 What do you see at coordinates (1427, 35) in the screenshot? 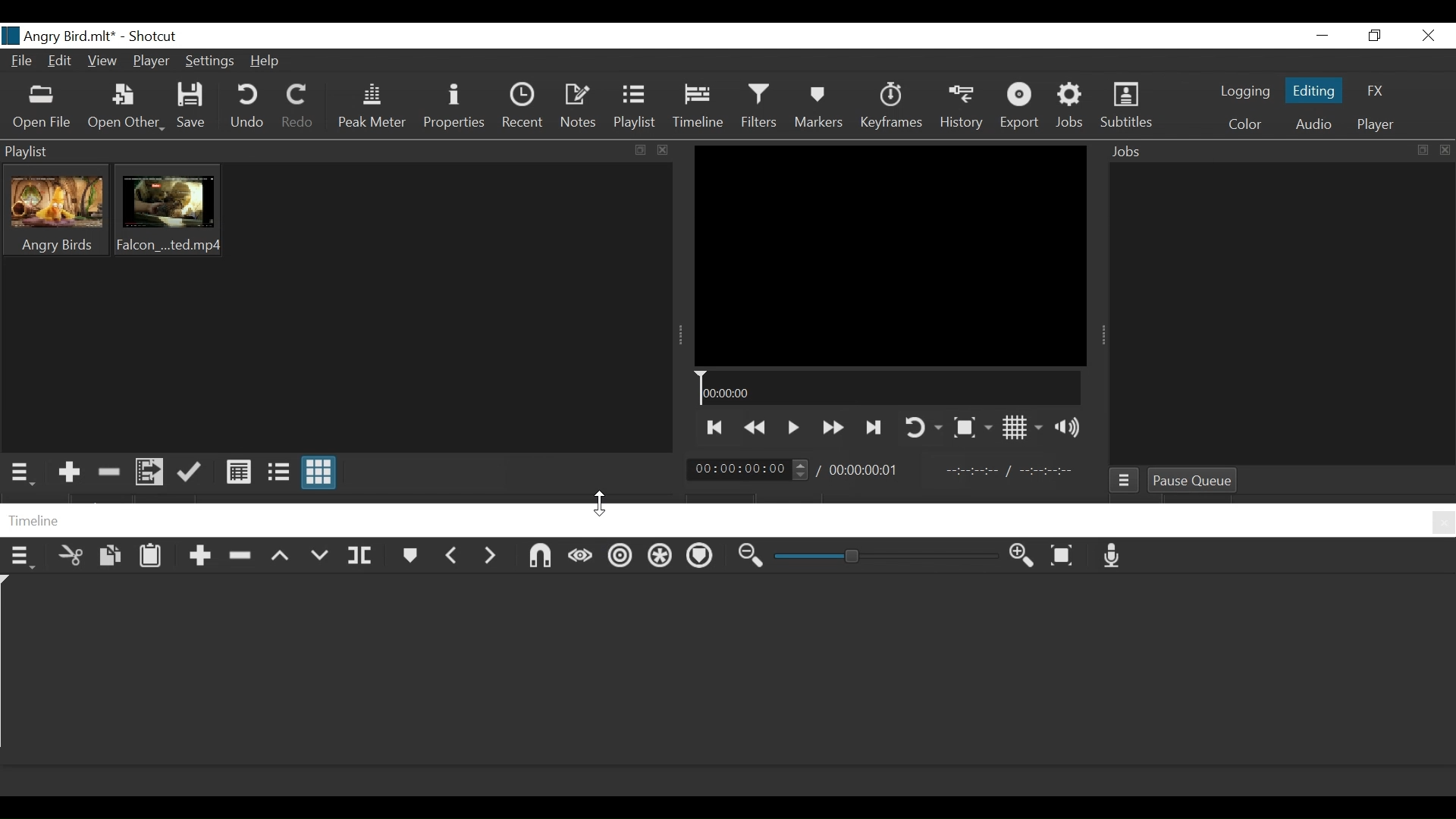
I see `Close` at bounding box center [1427, 35].